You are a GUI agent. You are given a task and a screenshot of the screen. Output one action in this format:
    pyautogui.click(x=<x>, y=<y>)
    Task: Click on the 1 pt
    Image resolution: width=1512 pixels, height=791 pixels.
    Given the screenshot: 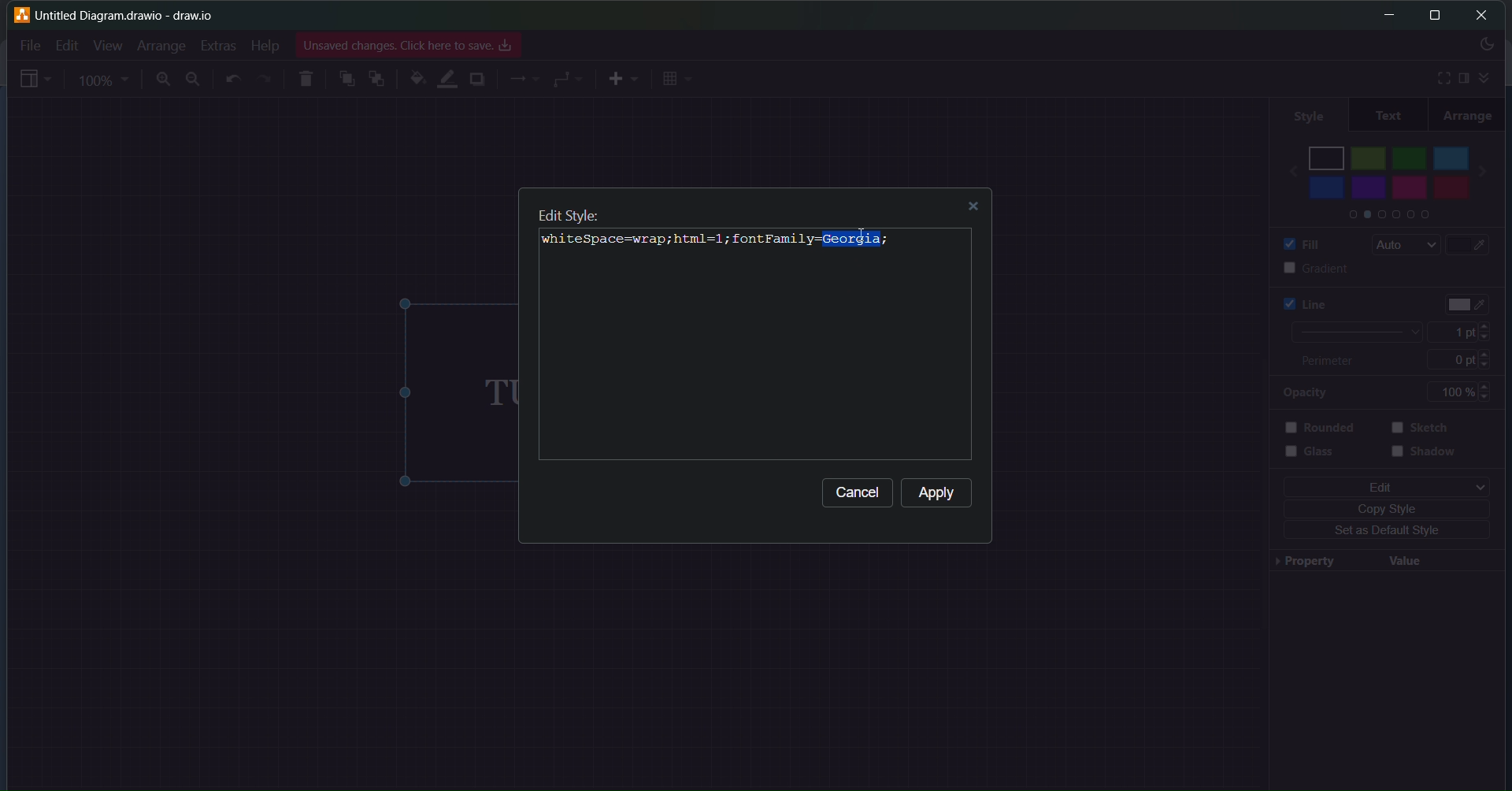 What is the action you would take?
    pyautogui.click(x=1466, y=332)
    